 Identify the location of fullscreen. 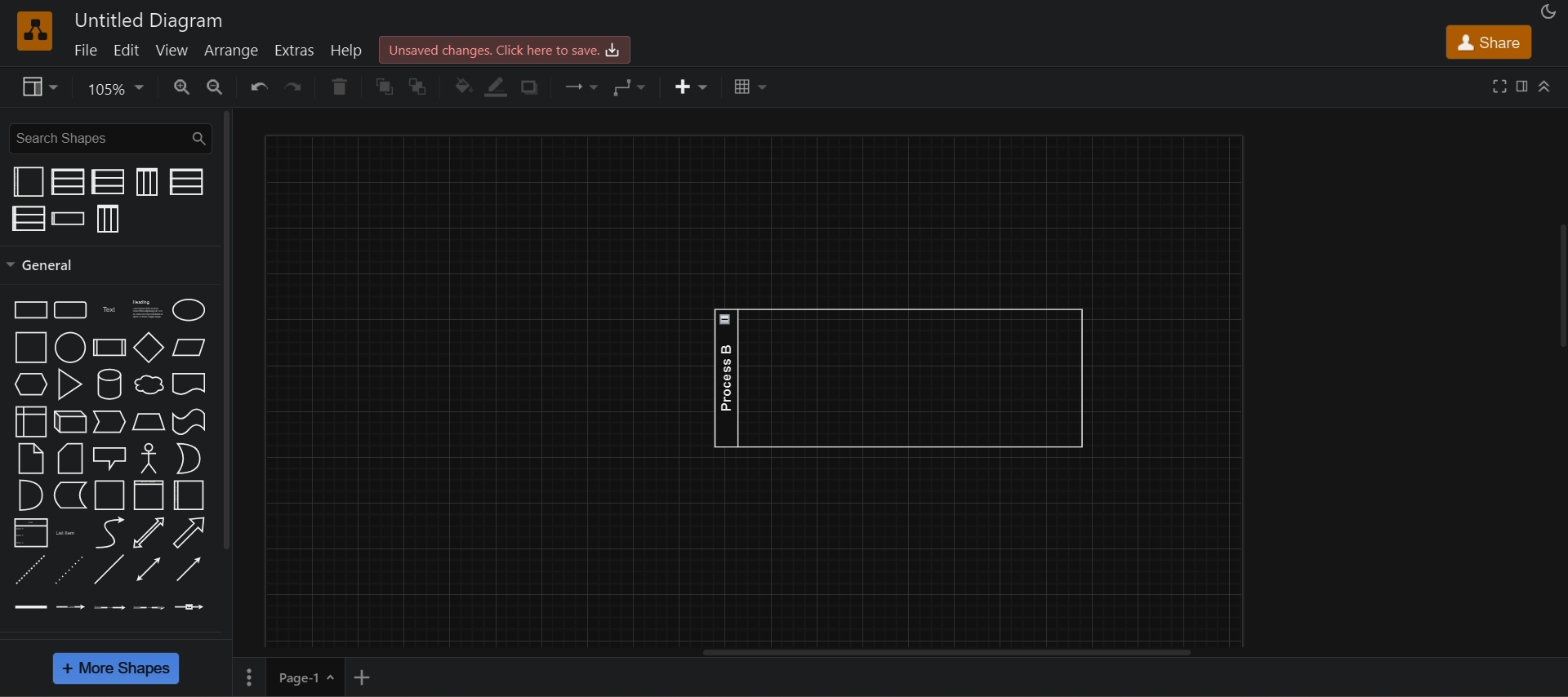
(1501, 85).